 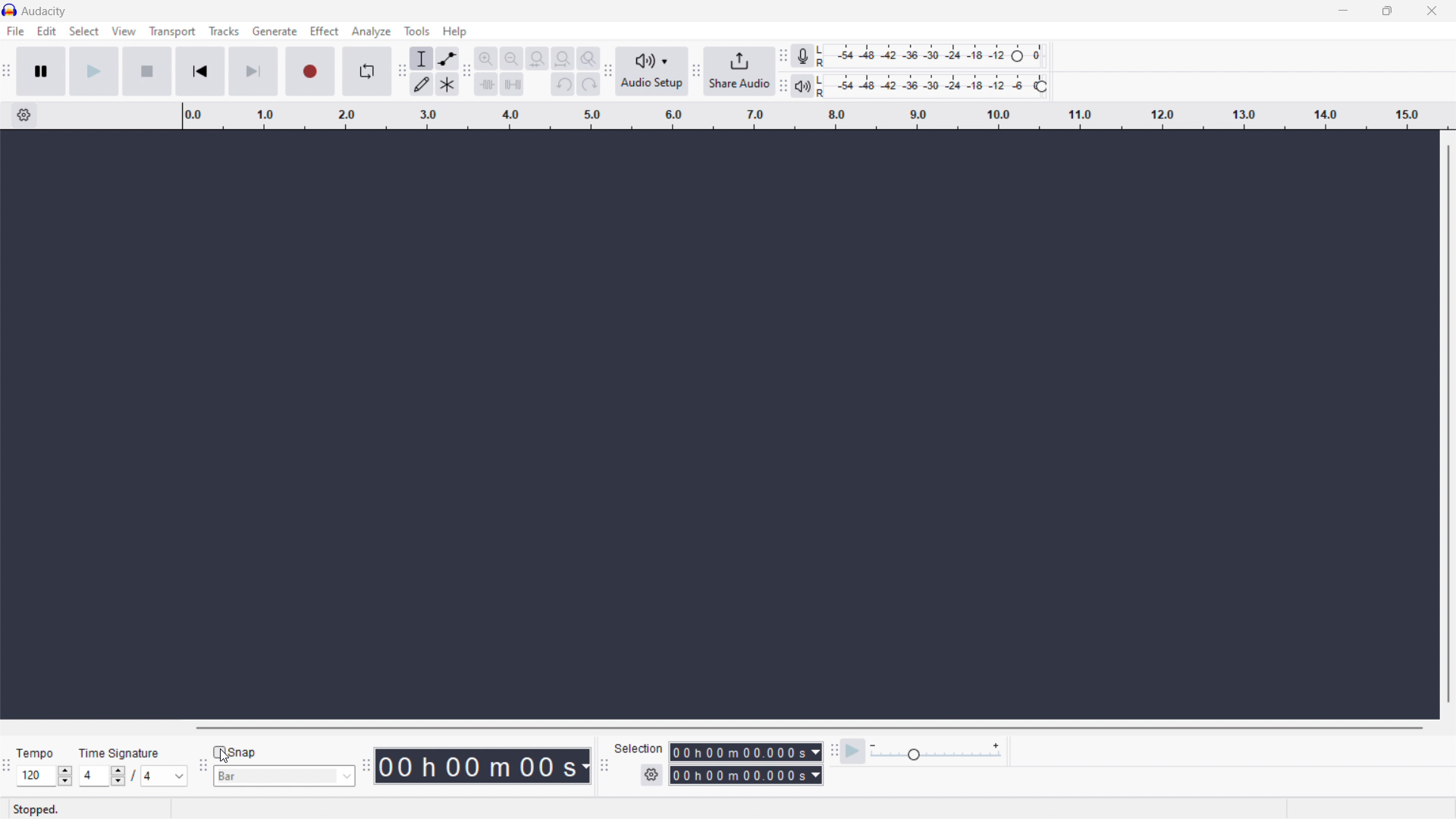 I want to click on Selection, so click(x=635, y=746).